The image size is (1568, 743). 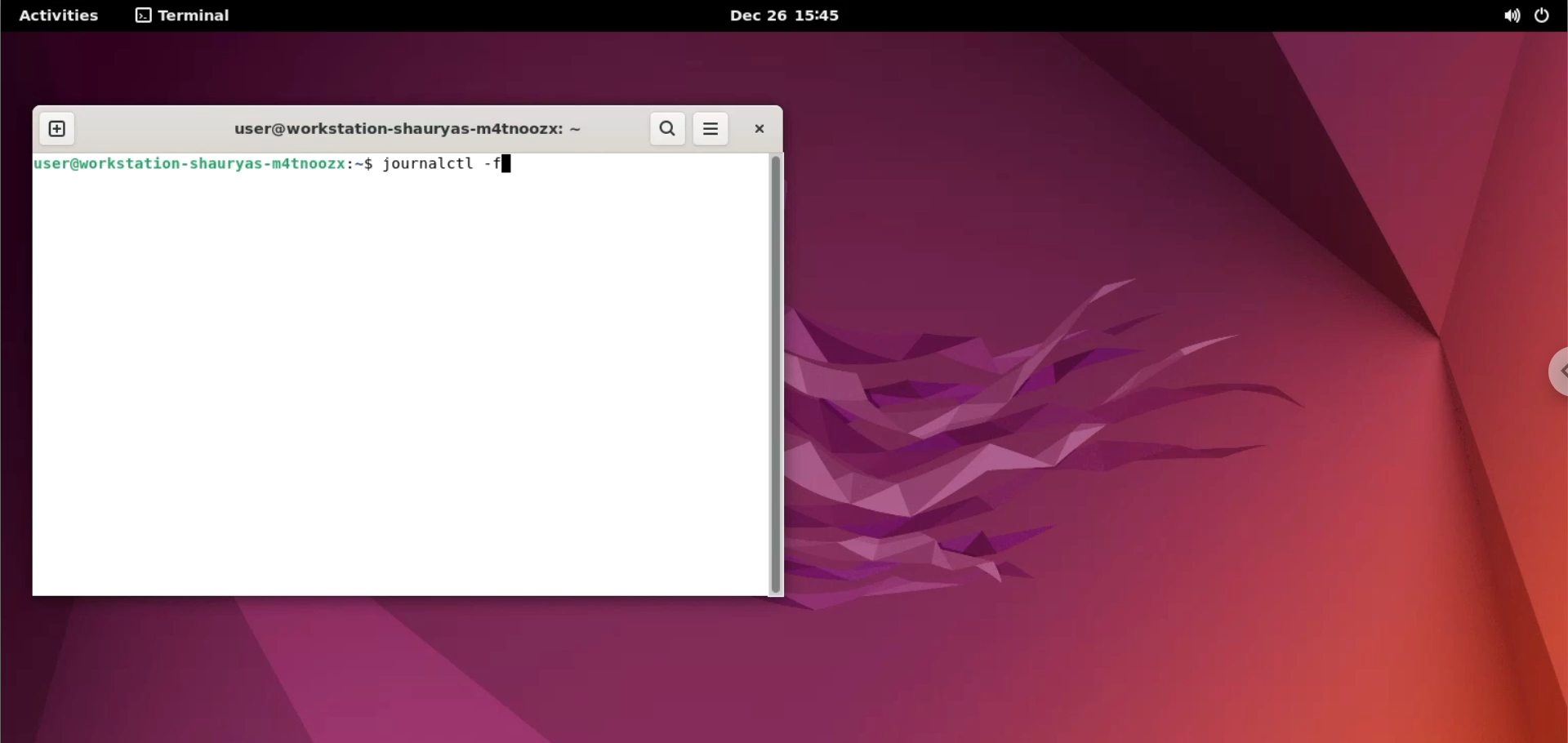 What do you see at coordinates (782, 17) in the screenshot?
I see `Dec 26 15:45` at bounding box center [782, 17].